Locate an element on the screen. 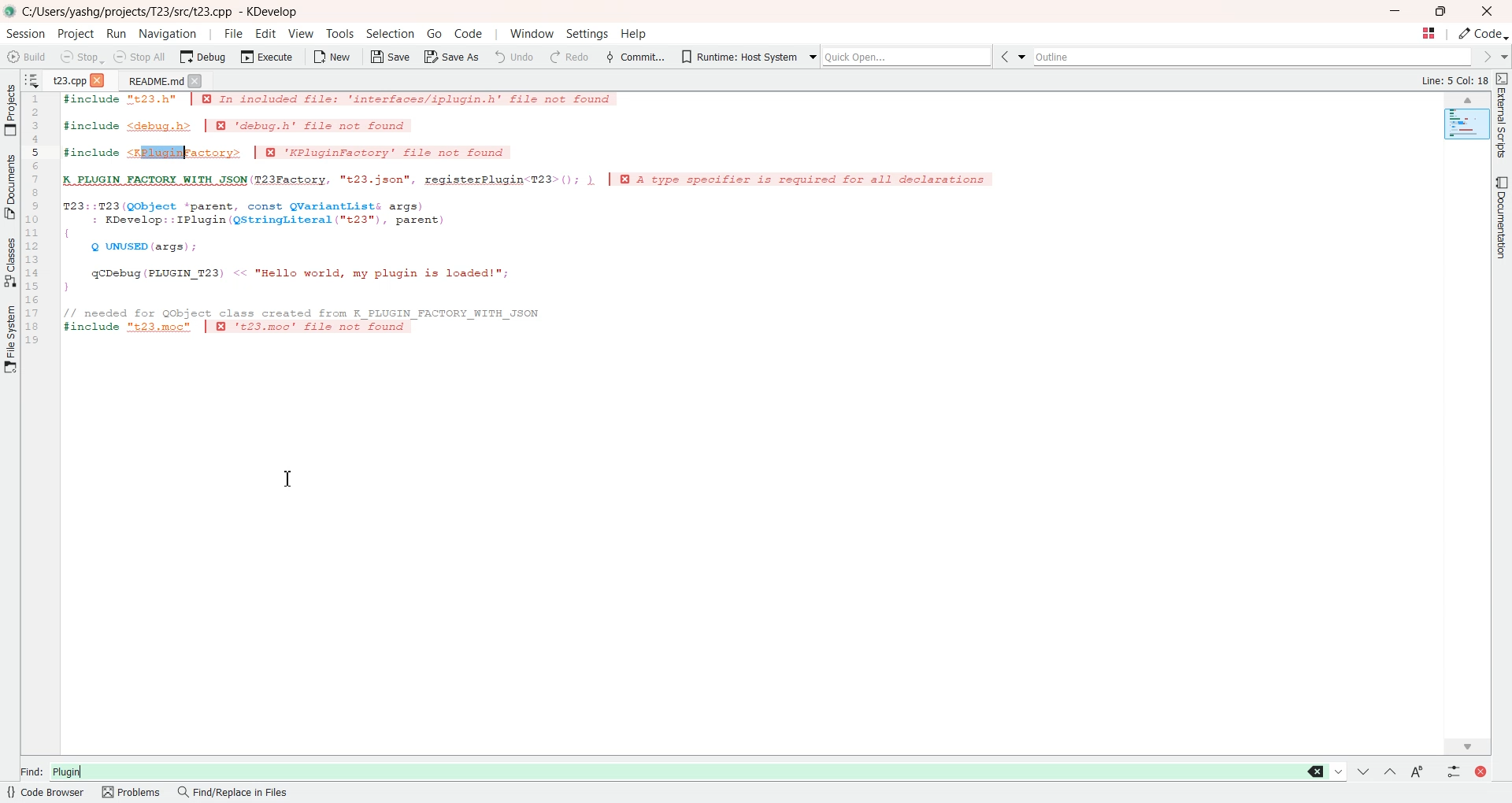 This screenshot has height=803, width=1512. Documents is located at coordinates (10, 187).